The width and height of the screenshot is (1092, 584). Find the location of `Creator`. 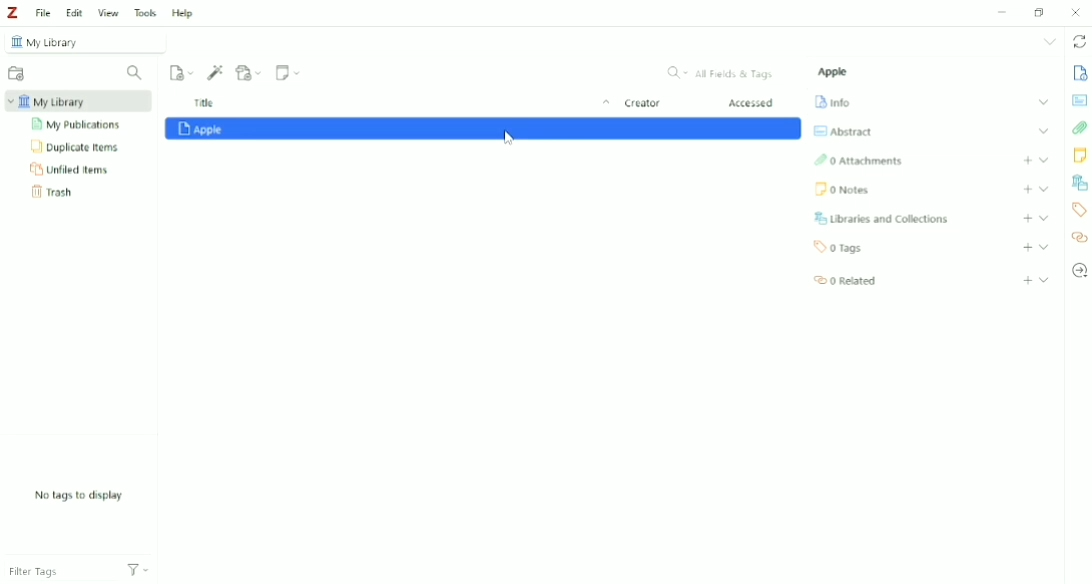

Creator is located at coordinates (642, 105).